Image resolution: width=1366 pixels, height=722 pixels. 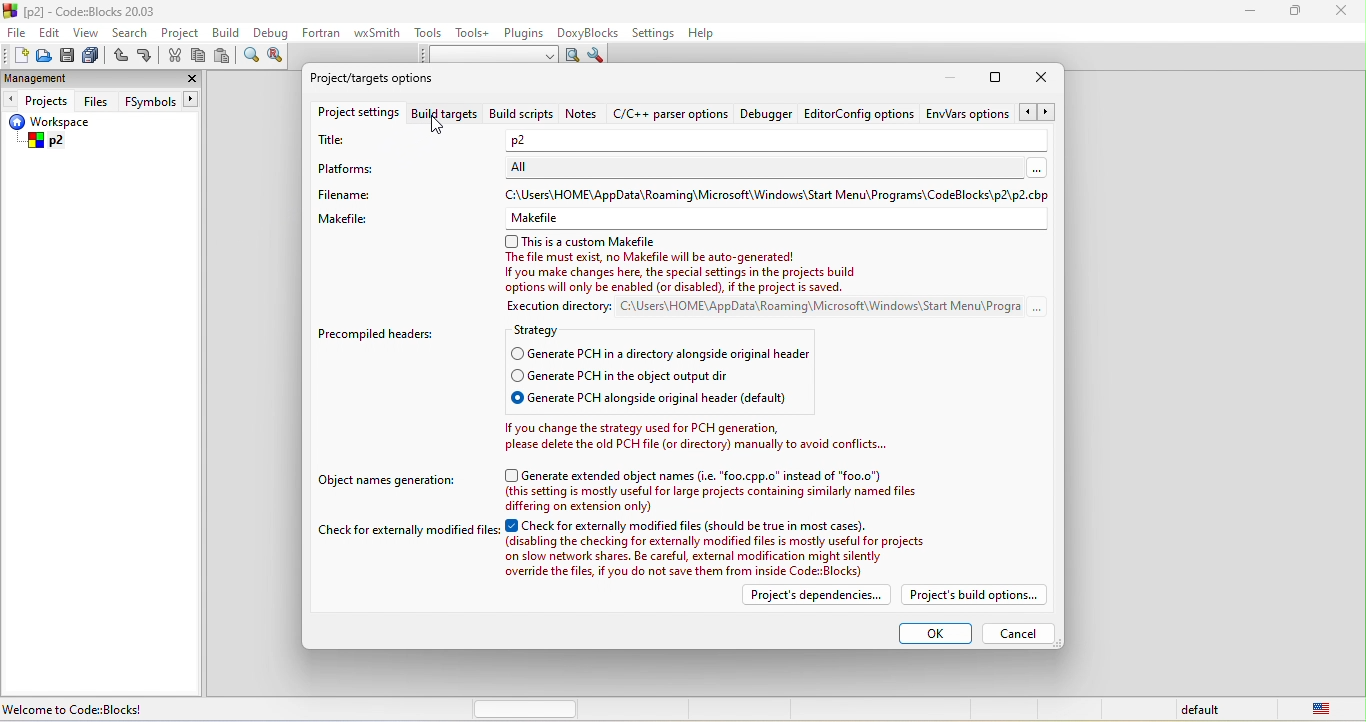 What do you see at coordinates (175, 58) in the screenshot?
I see `cut` at bounding box center [175, 58].